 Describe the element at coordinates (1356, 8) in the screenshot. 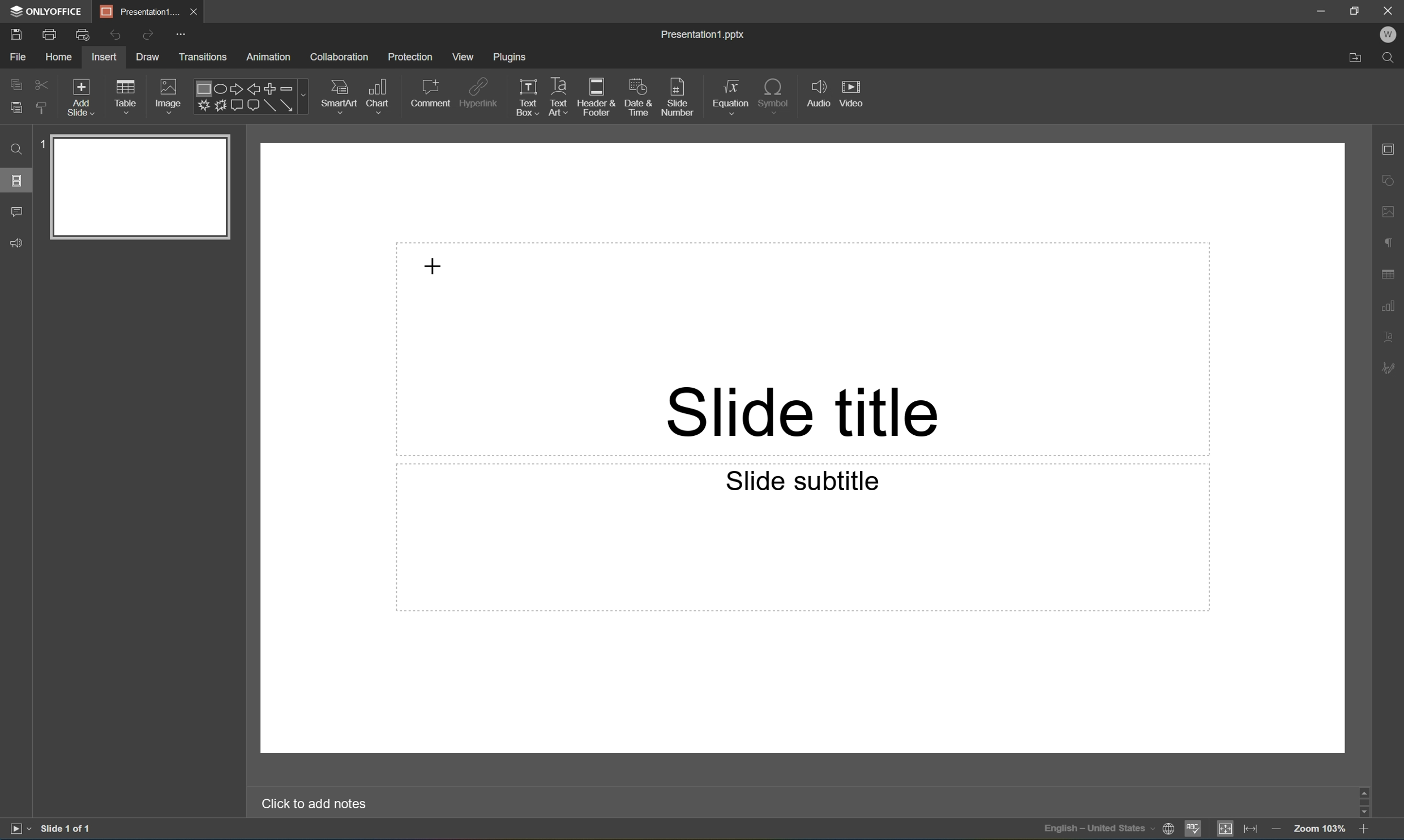

I see `Restore Down` at that location.